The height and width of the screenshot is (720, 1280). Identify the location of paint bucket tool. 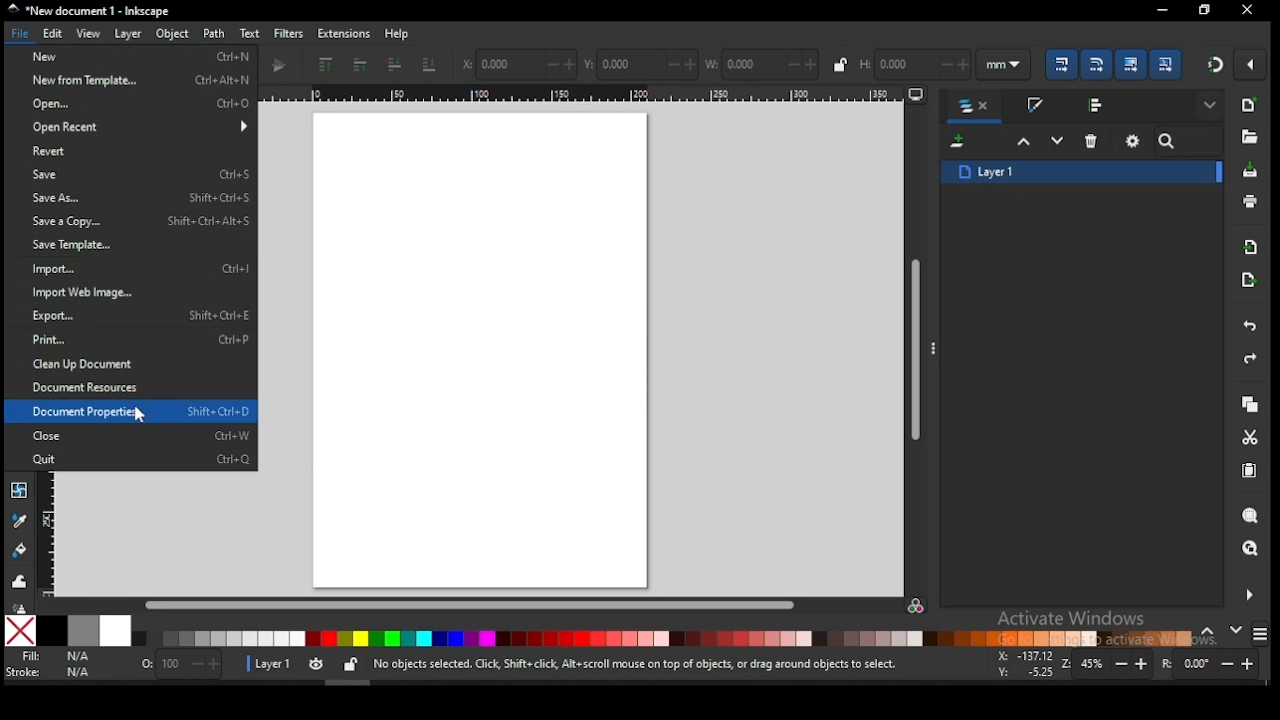
(21, 548).